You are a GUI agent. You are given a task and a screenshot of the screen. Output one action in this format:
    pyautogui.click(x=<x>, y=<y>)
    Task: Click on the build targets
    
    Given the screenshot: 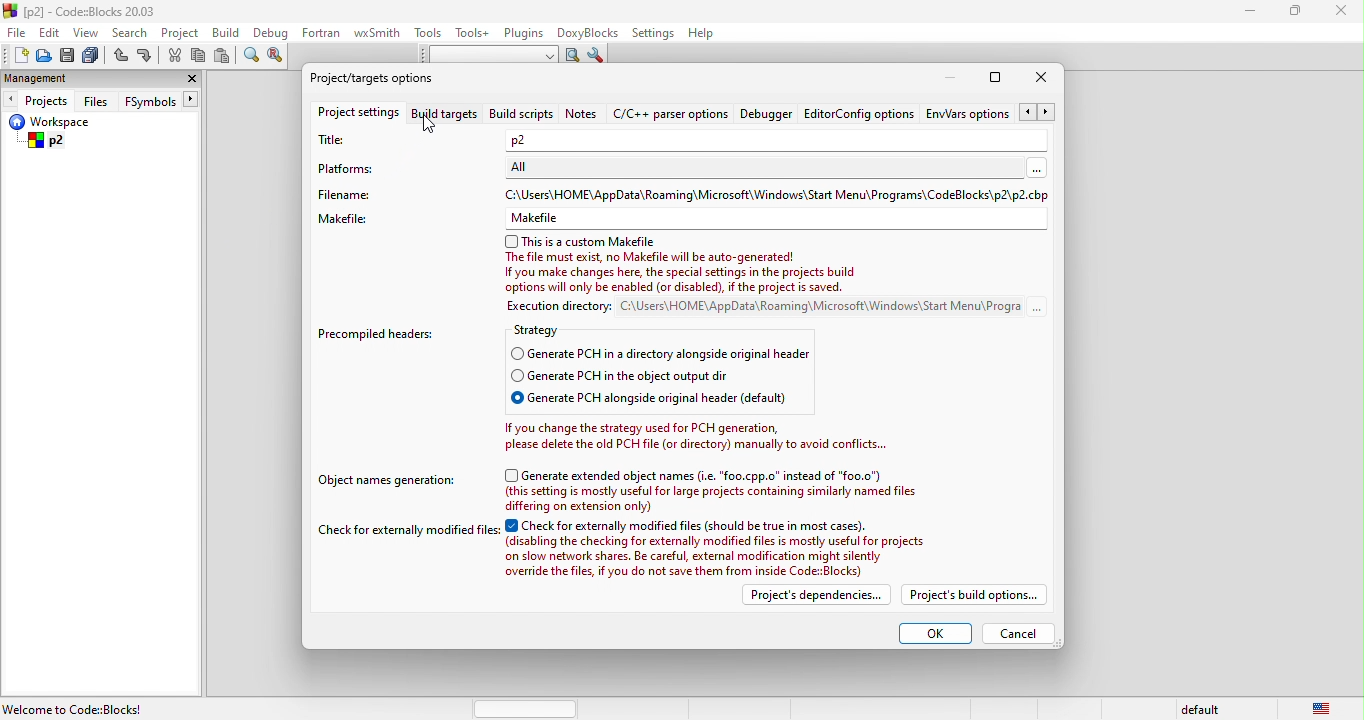 What is the action you would take?
    pyautogui.click(x=448, y=114)
    